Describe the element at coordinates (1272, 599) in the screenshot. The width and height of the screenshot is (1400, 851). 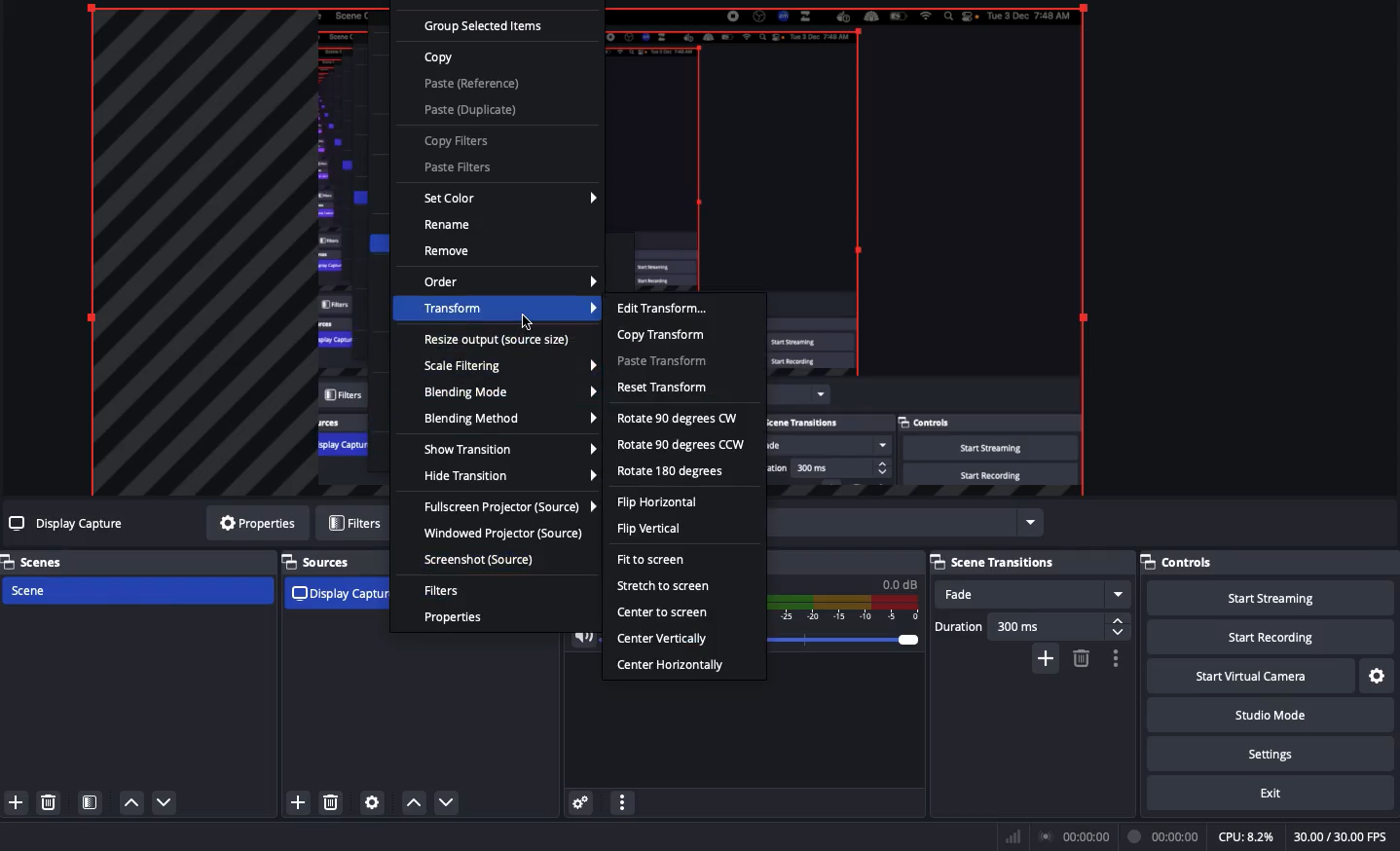
I see `Start streaming` at that location.